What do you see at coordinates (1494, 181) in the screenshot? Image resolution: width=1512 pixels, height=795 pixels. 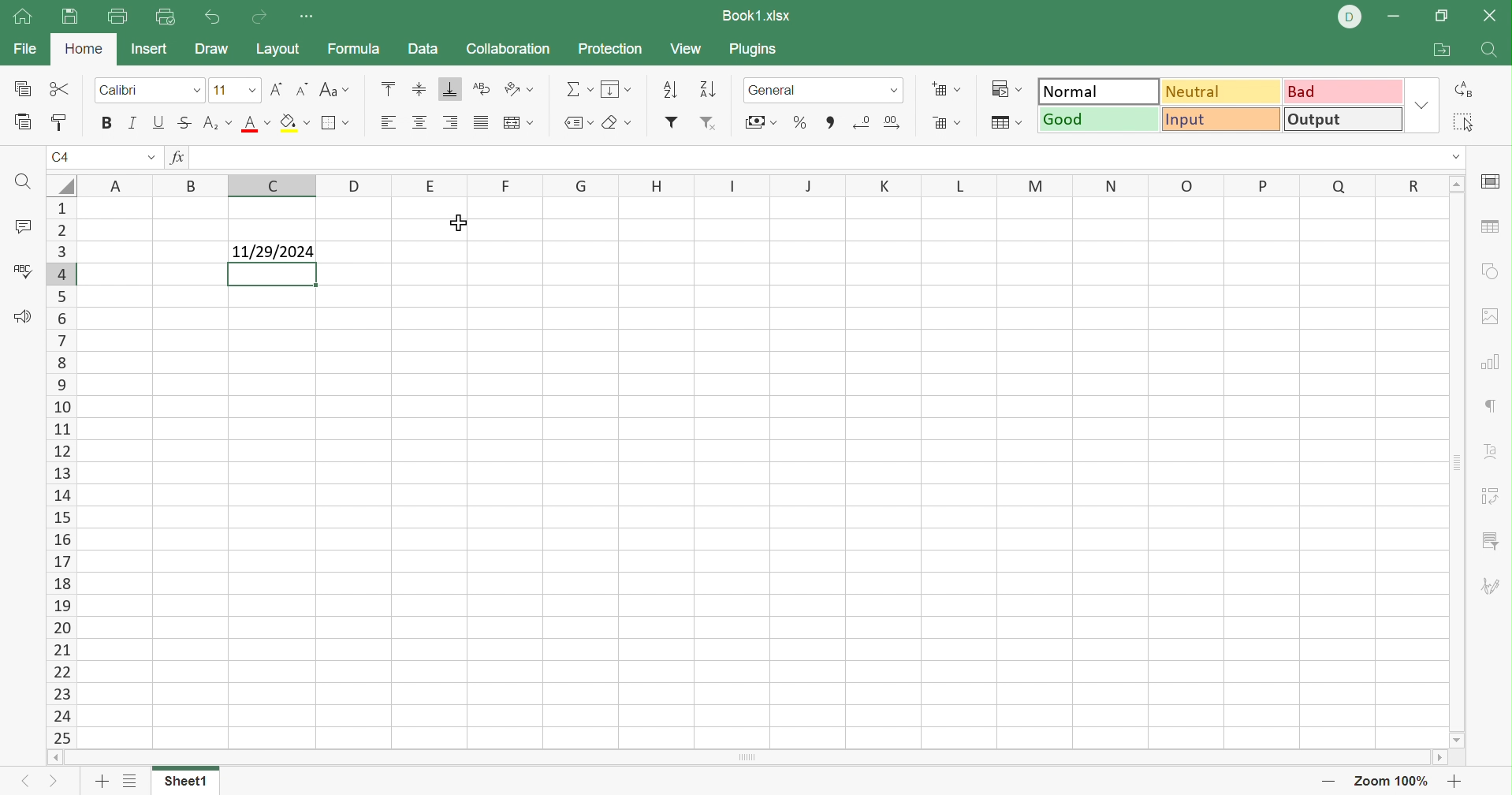 I see `cell settings` at bounding box center [1494, 181].